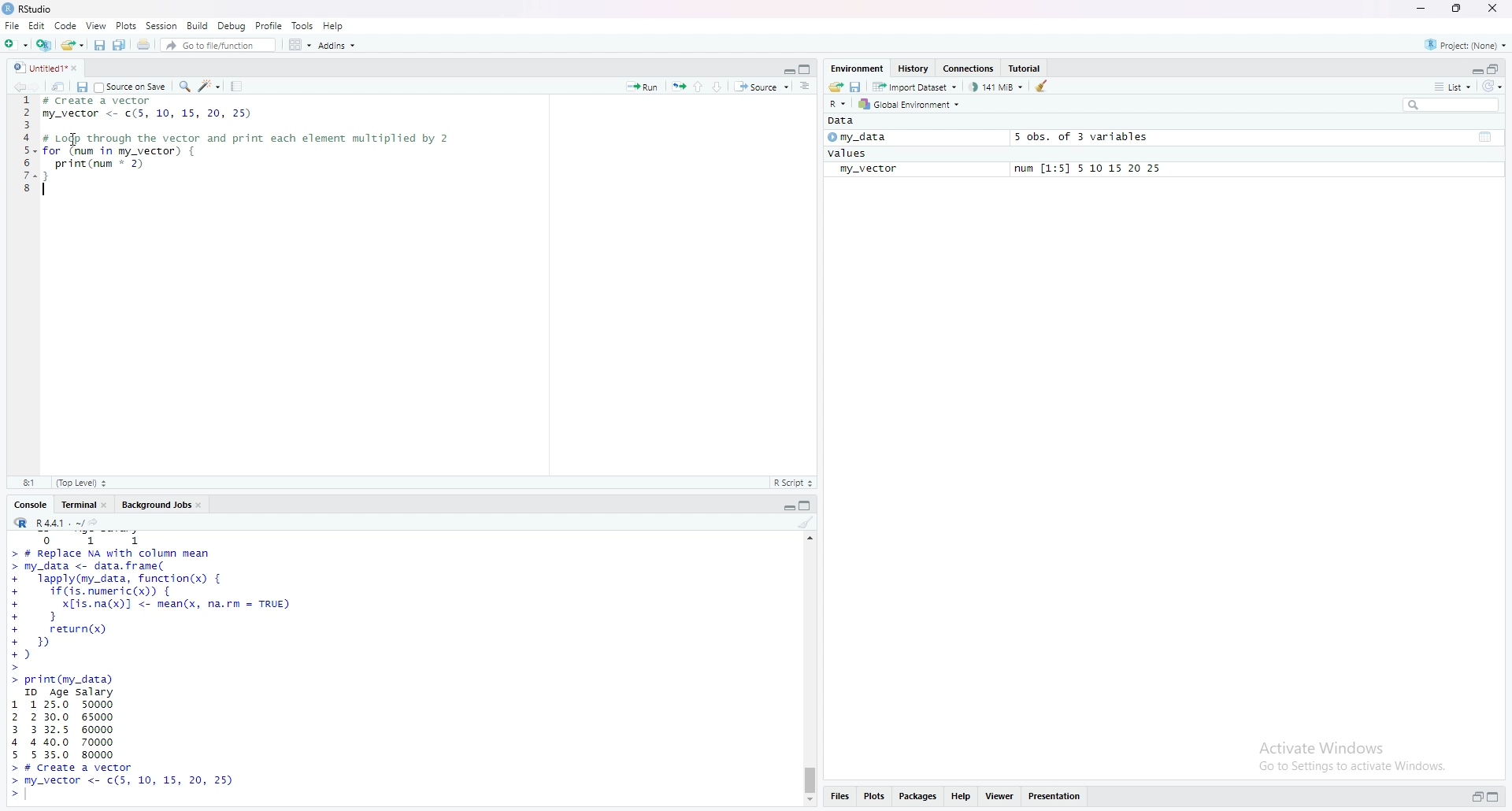  I want to click on collapse, so click(807, 69).